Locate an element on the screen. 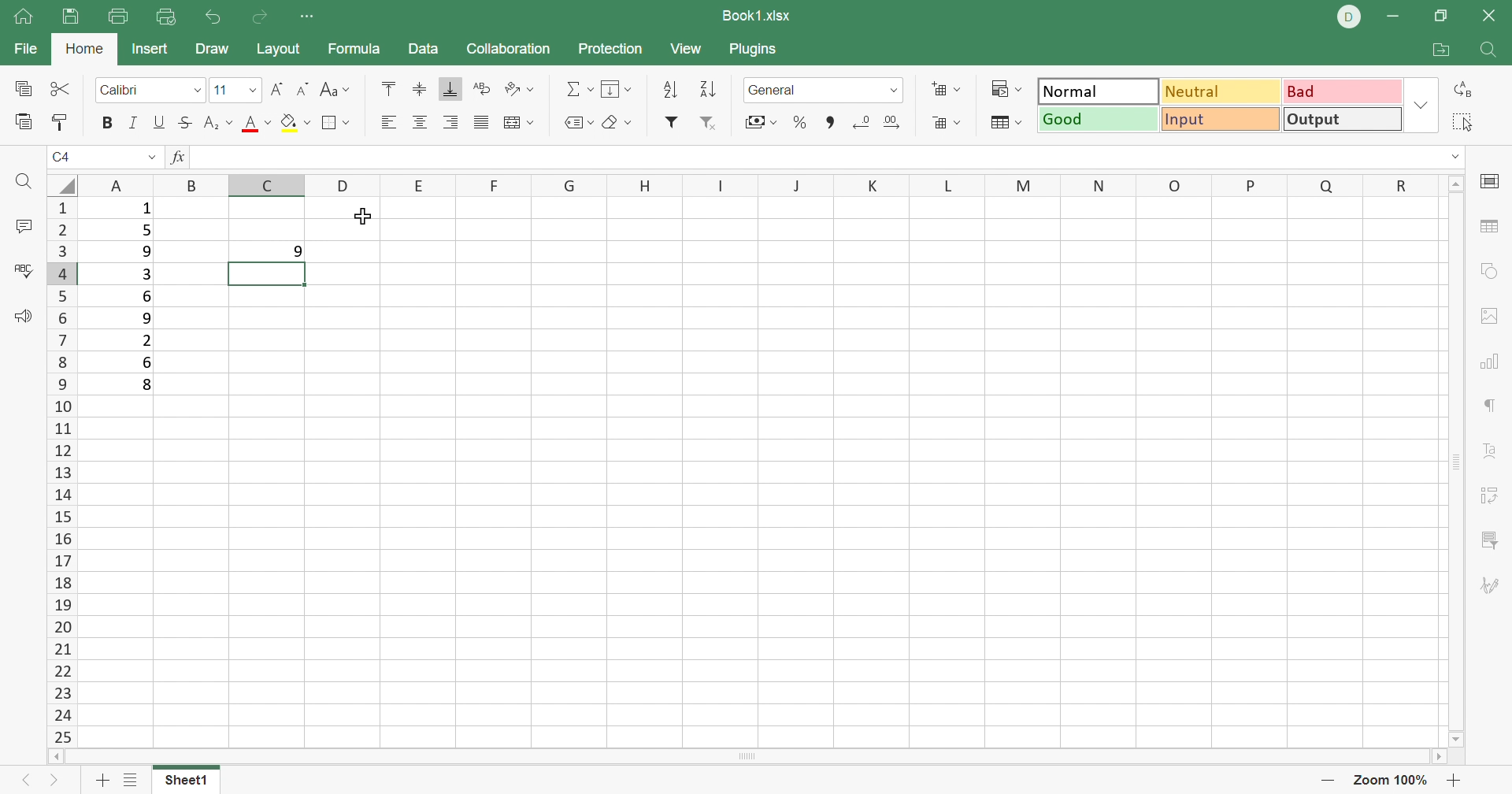 This screenshot has width=1512, height=794. View is located at coordinates (687, 51).